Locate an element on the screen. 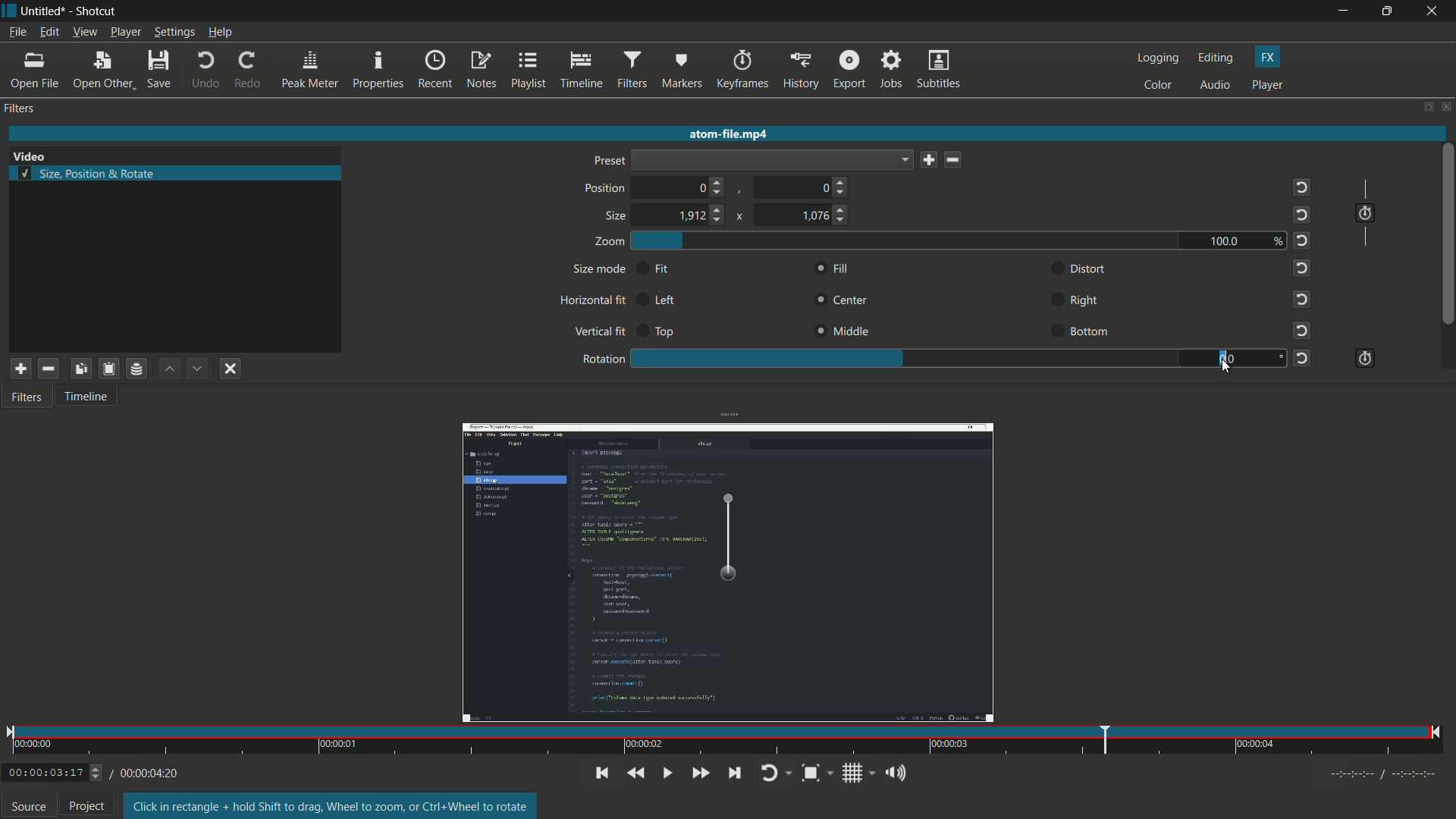 The image size is (1456, 819). toggle play or pause is located at coordinates (667, 774).